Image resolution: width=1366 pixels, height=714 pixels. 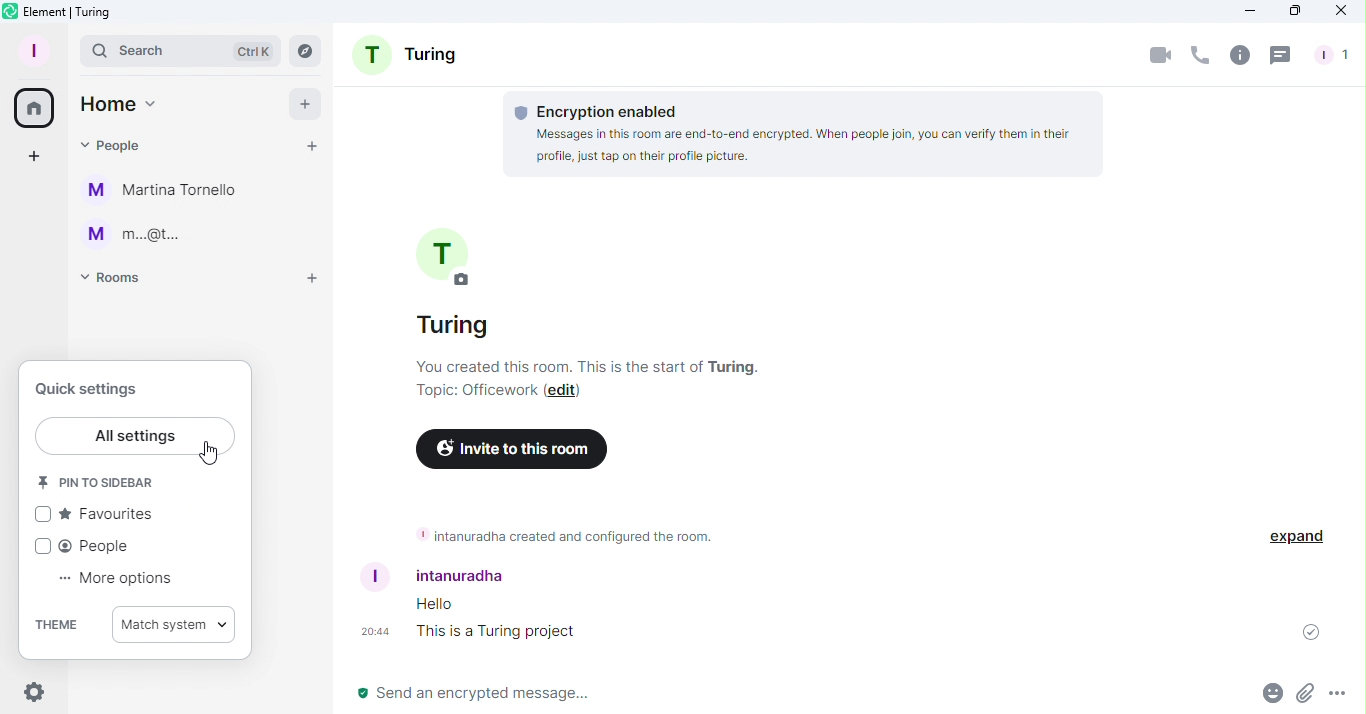 What do you see at coordinates (1340, 696) in the screenshot?
I see `More options` at bounding box center [1340, 696].